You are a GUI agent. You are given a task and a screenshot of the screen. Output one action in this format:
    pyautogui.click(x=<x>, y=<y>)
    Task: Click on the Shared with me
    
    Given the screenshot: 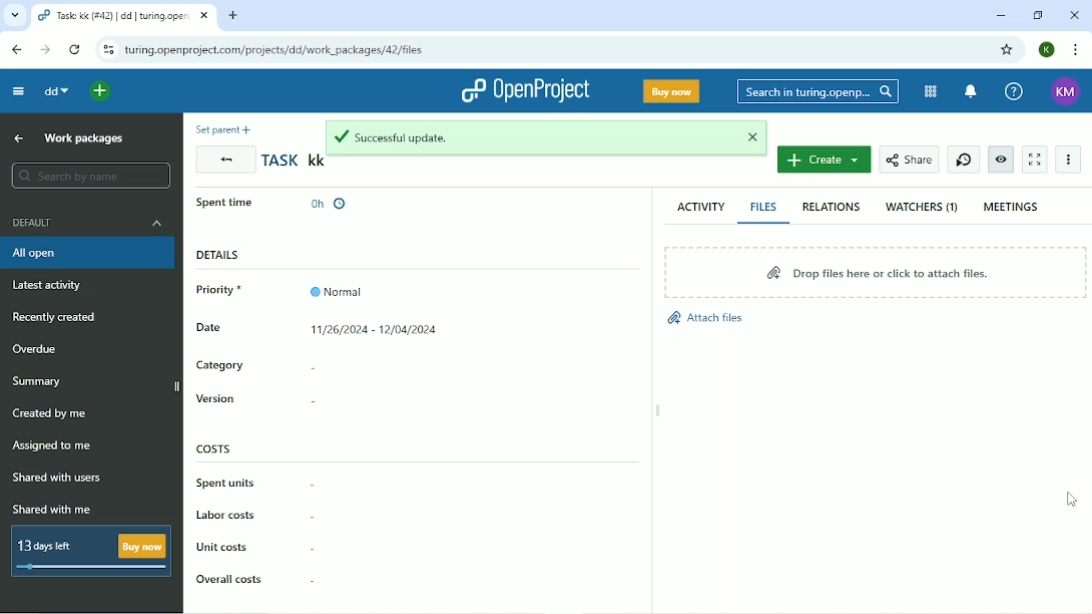 What is the action you would take?
    pyautogui.click(x=51, y=509)
    